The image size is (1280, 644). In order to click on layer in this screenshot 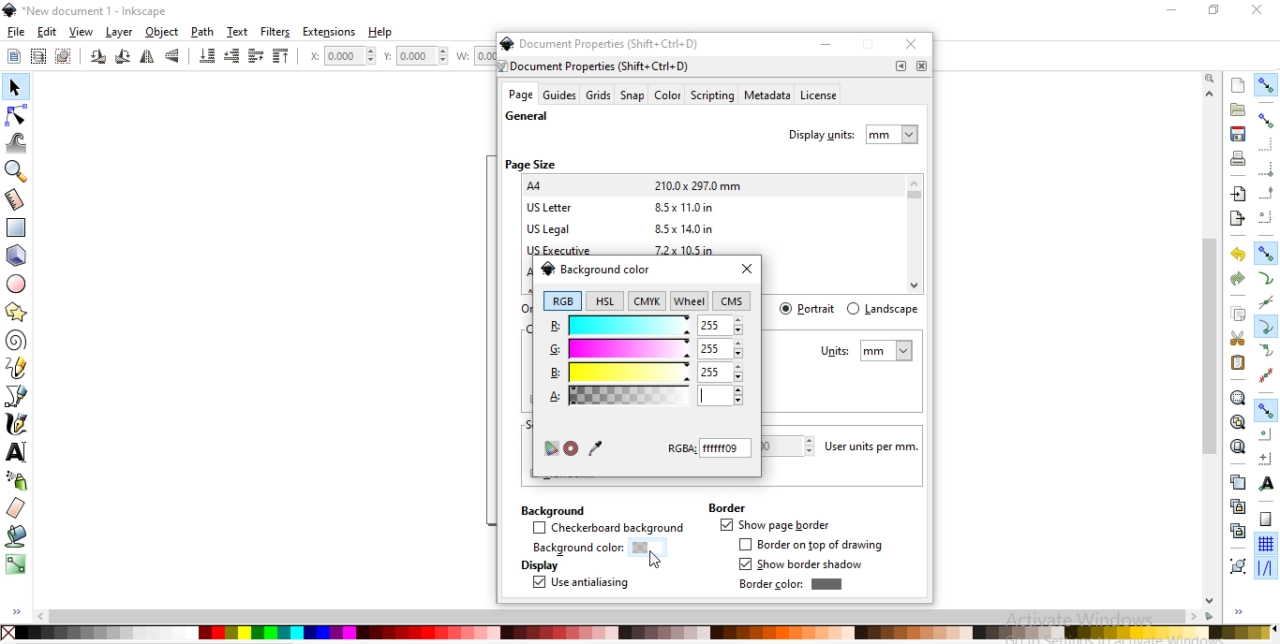, I will do `click(120, 33)`.